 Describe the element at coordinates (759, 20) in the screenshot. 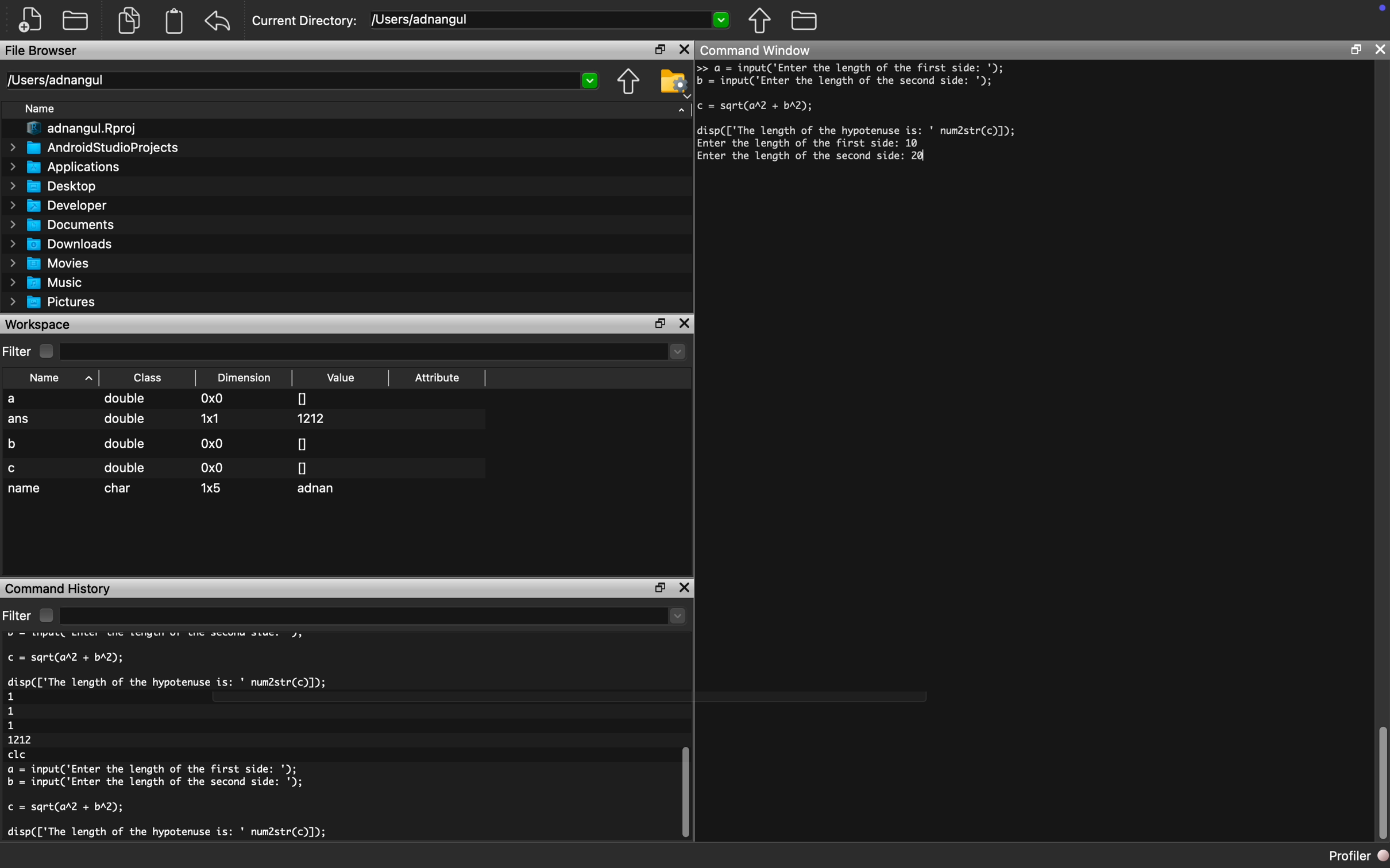

I see `move up` at that location.